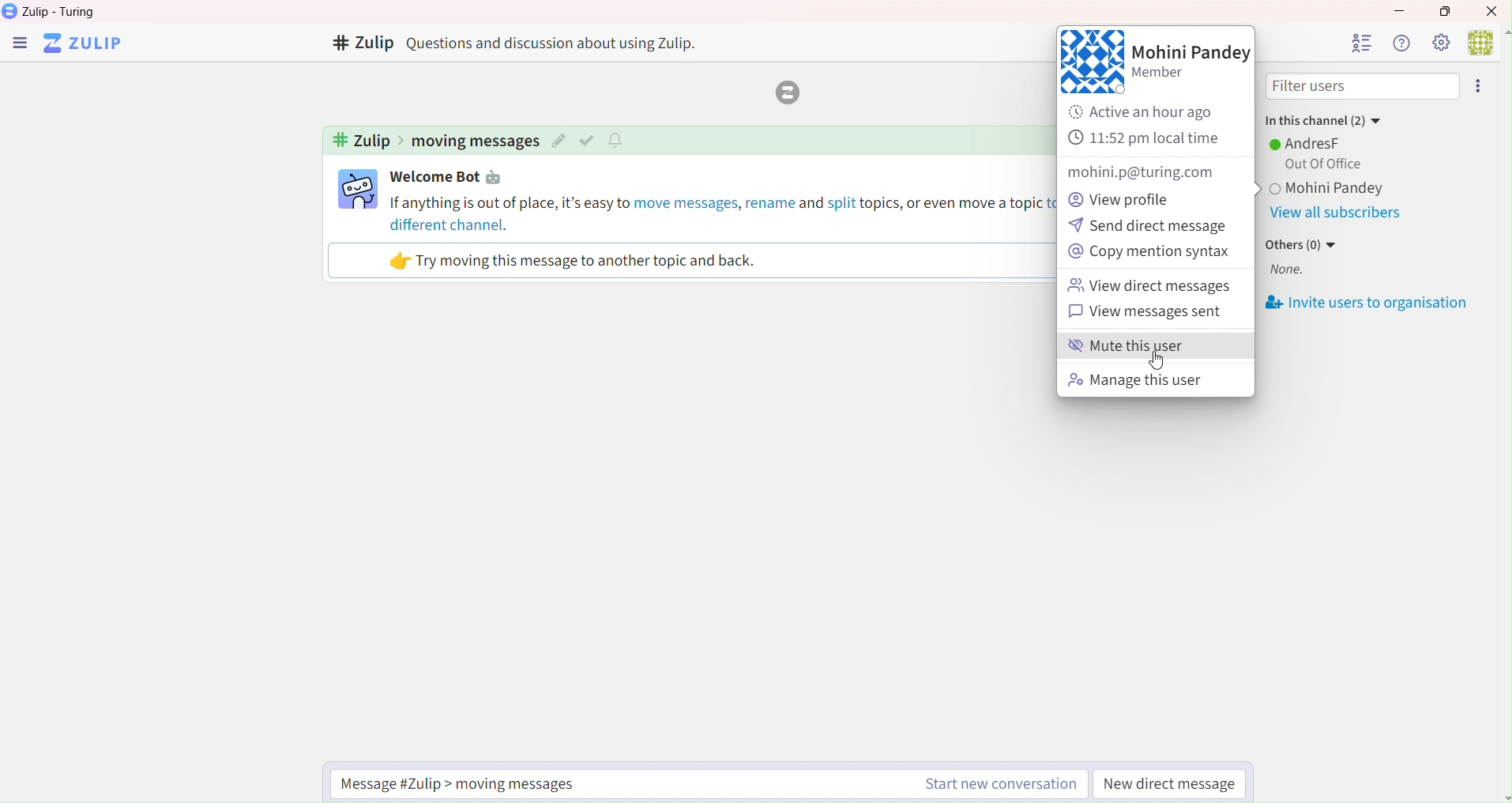 This screenshot has width=1512, height=803. I want to click on manage this user, so click(1136, 382).